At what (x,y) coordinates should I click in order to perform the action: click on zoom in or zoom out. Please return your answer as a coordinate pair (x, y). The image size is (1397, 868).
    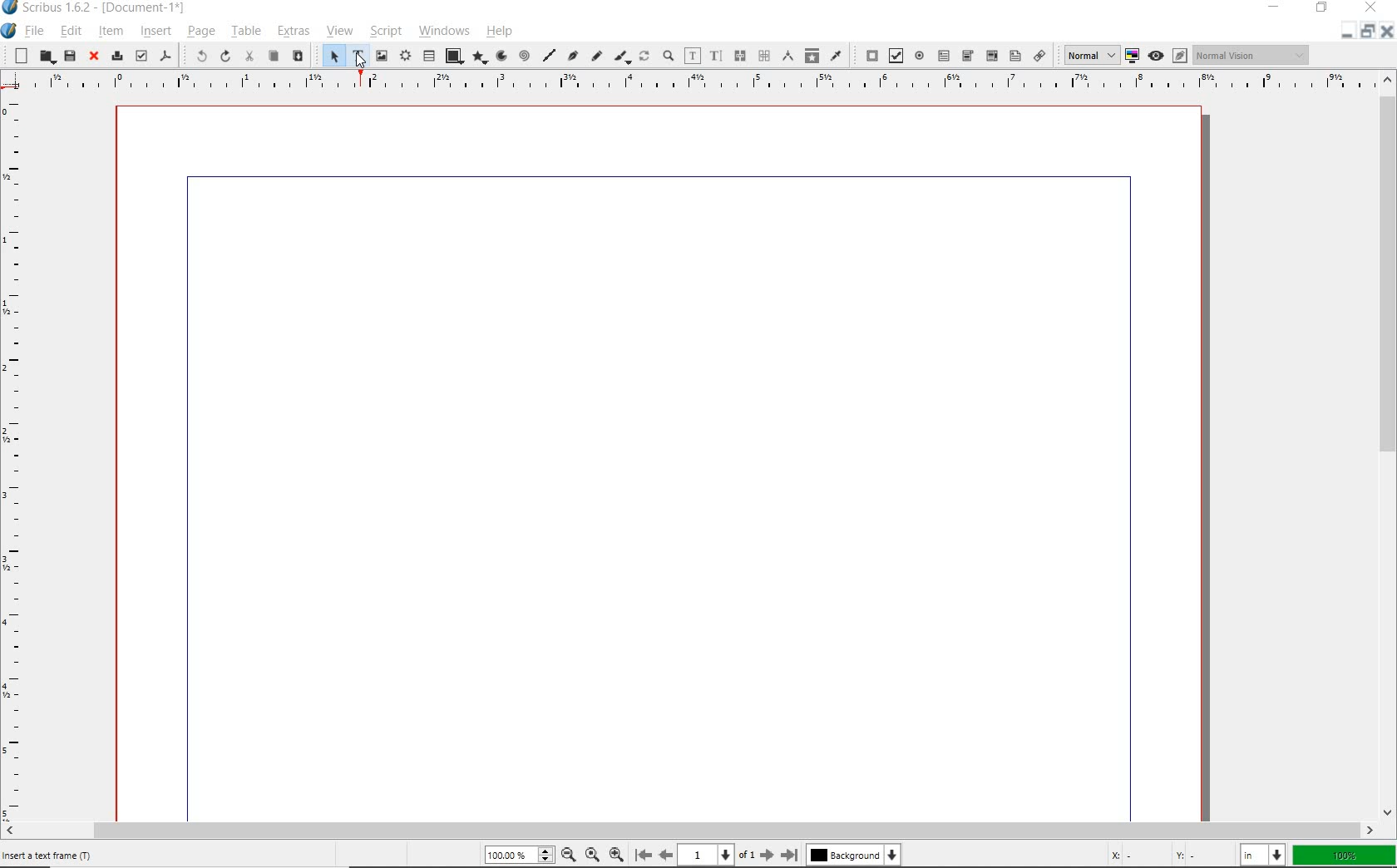
    Looking at the image, I should click on (668, 57).